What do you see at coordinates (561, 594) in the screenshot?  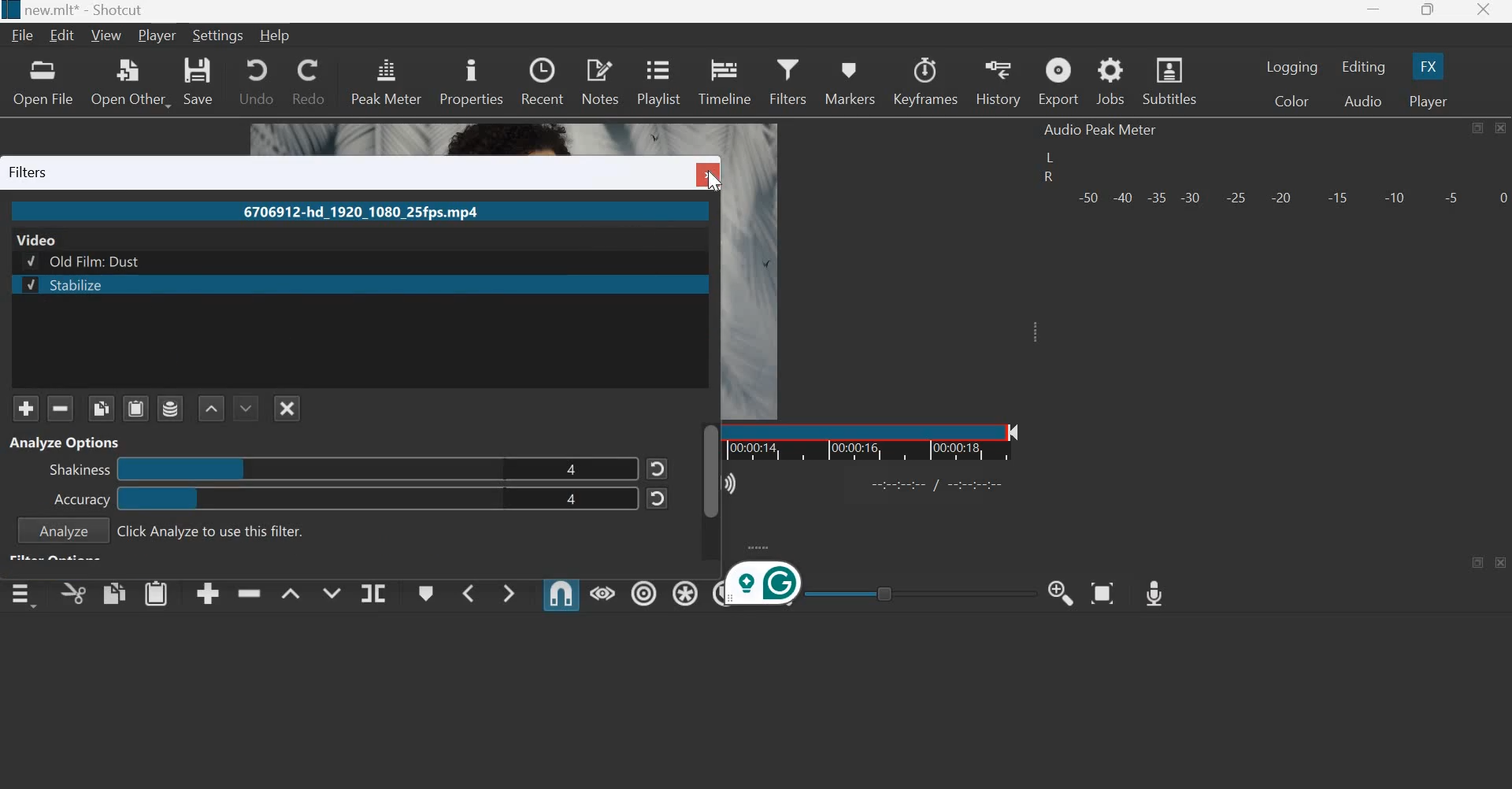 I see `Snap` at bounding box center [561, 594].